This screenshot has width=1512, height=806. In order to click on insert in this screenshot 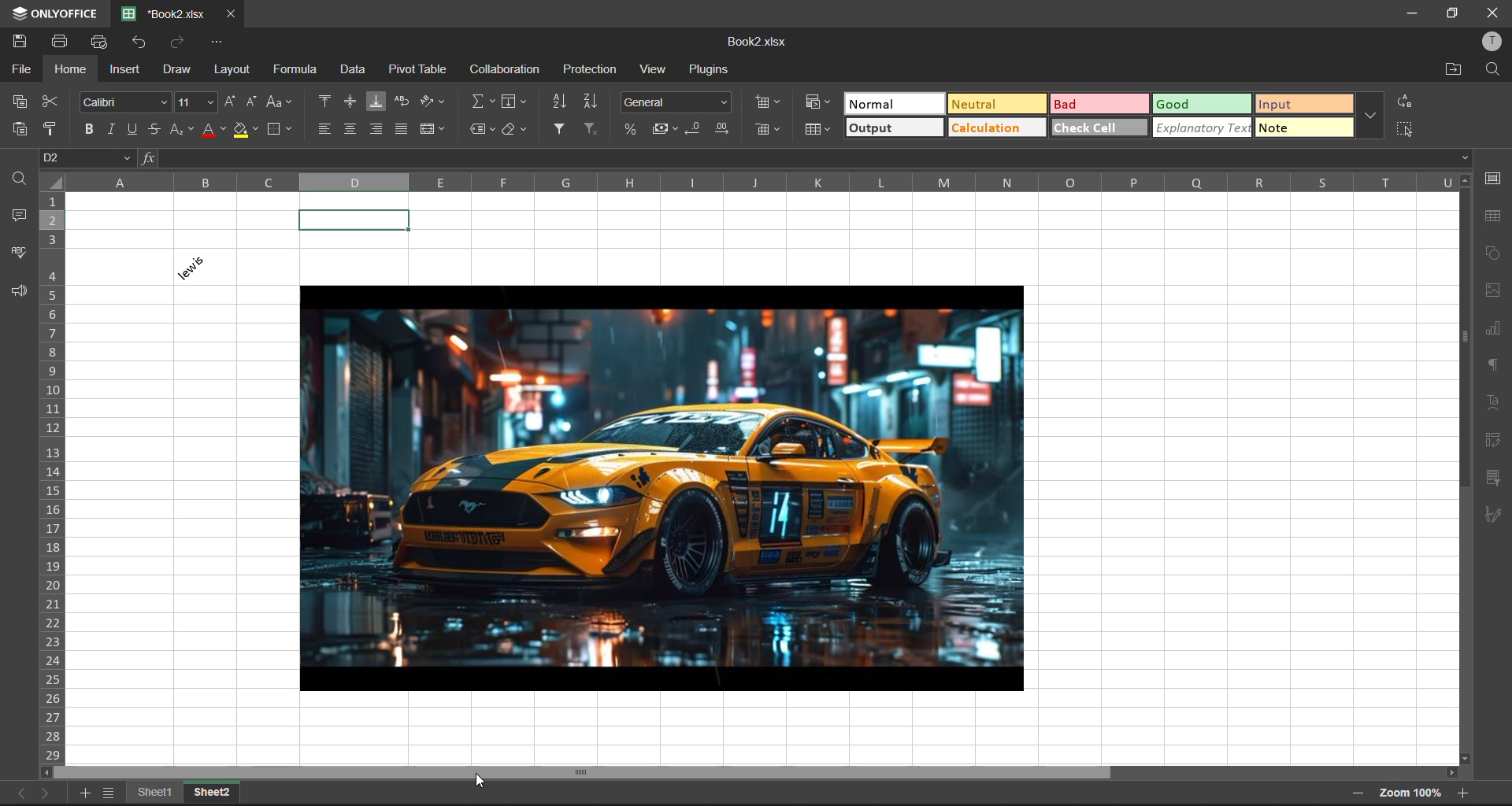, I will do `click(127, 70)`.